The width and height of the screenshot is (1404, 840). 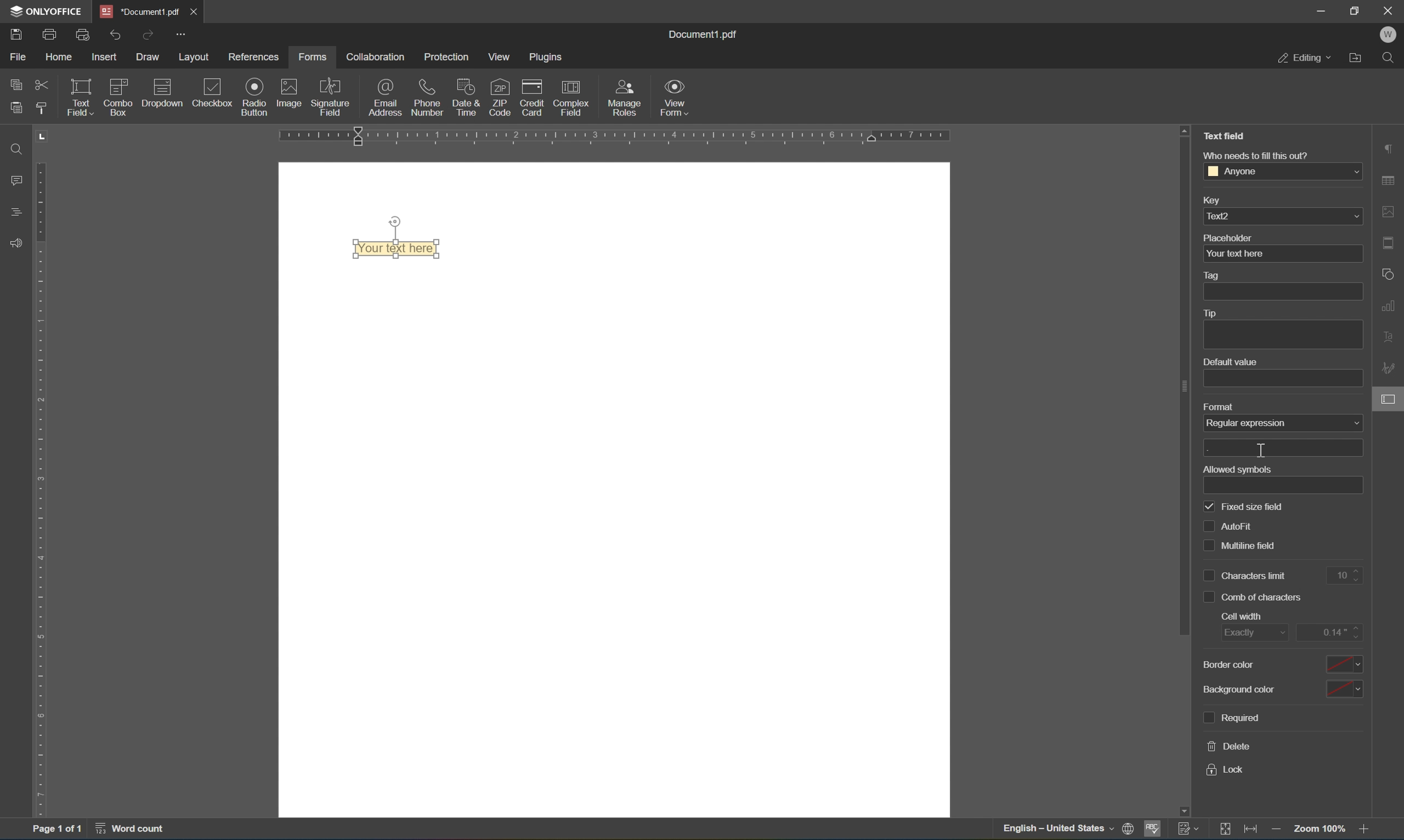 I want to click on zip code, so click(x=499, y=97).